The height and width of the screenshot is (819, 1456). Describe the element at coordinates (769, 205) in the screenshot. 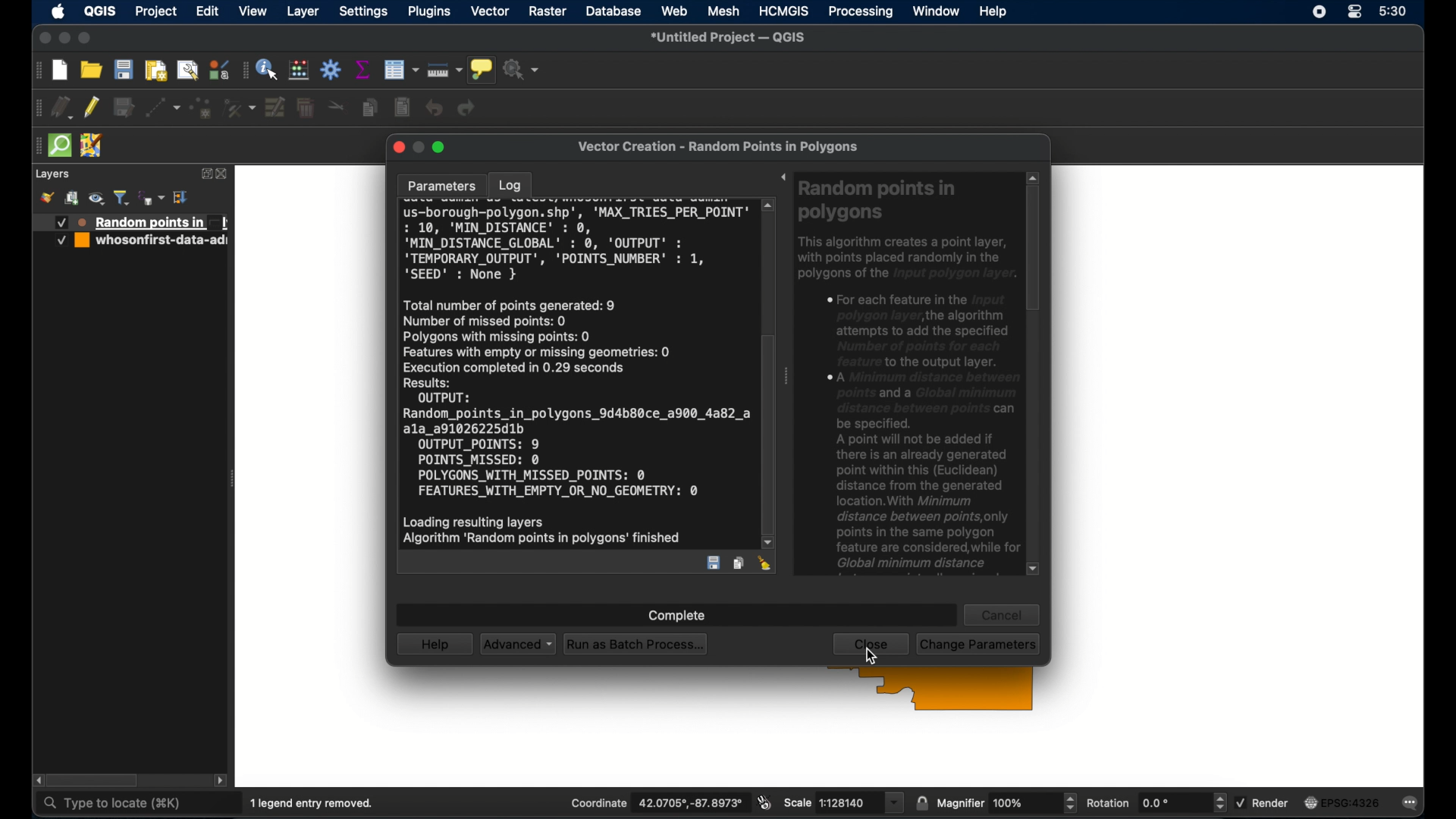

I see `scroll up arrow` at that location.